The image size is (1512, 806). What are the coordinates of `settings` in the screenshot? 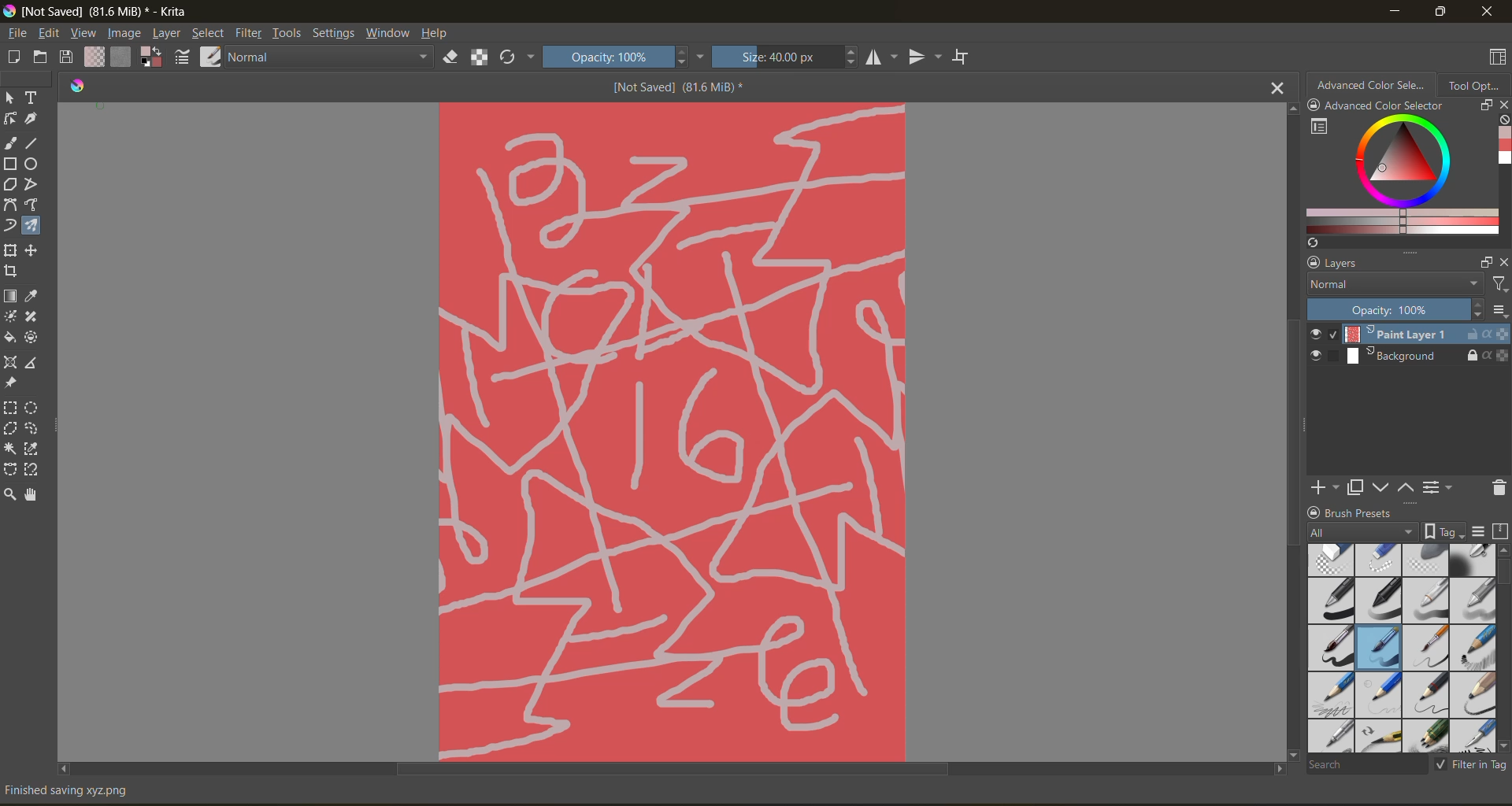 It's located at (333, 33).